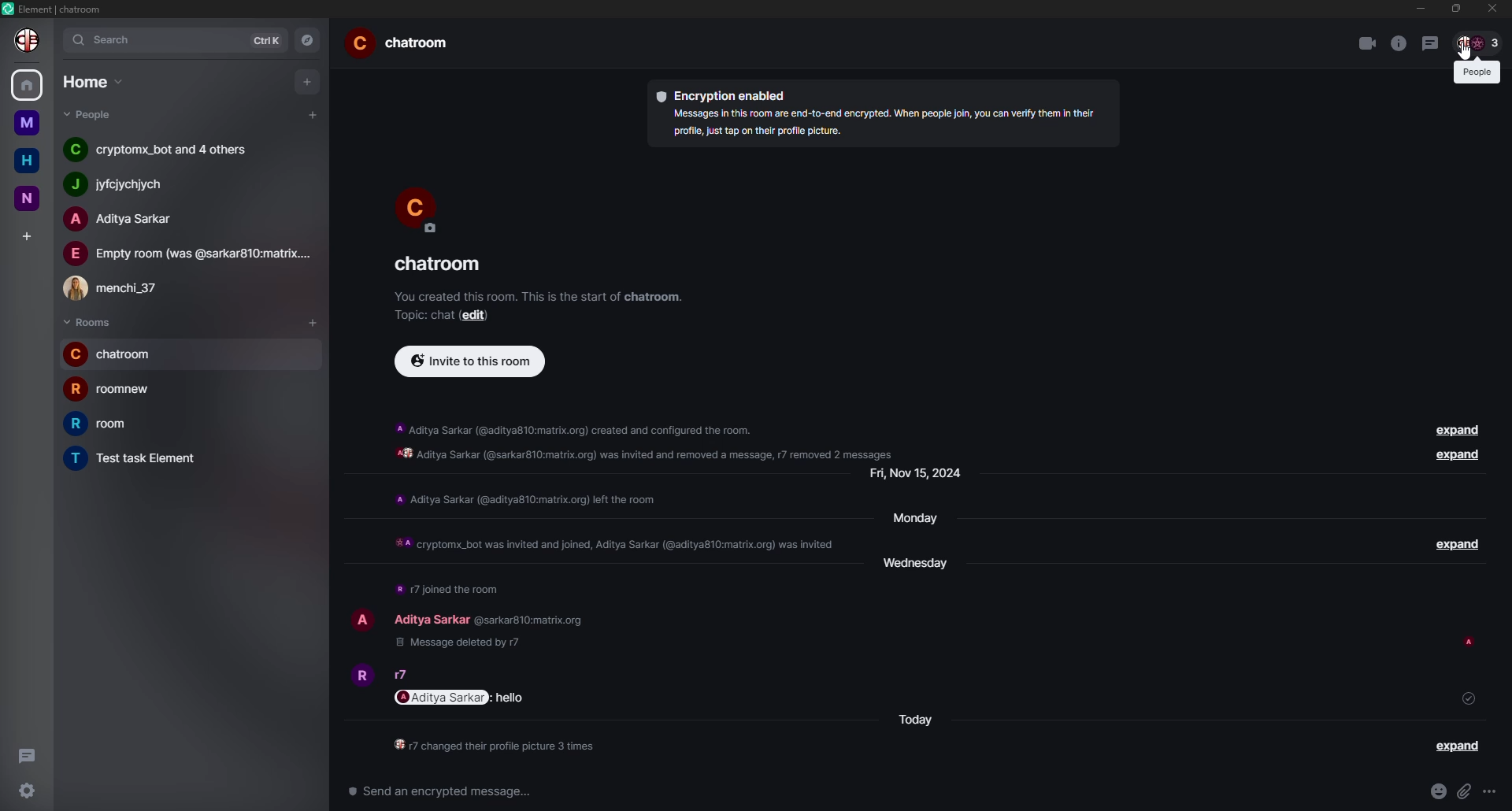 The image size is (1512, 811). I want to click on profile, so click(417, 208).